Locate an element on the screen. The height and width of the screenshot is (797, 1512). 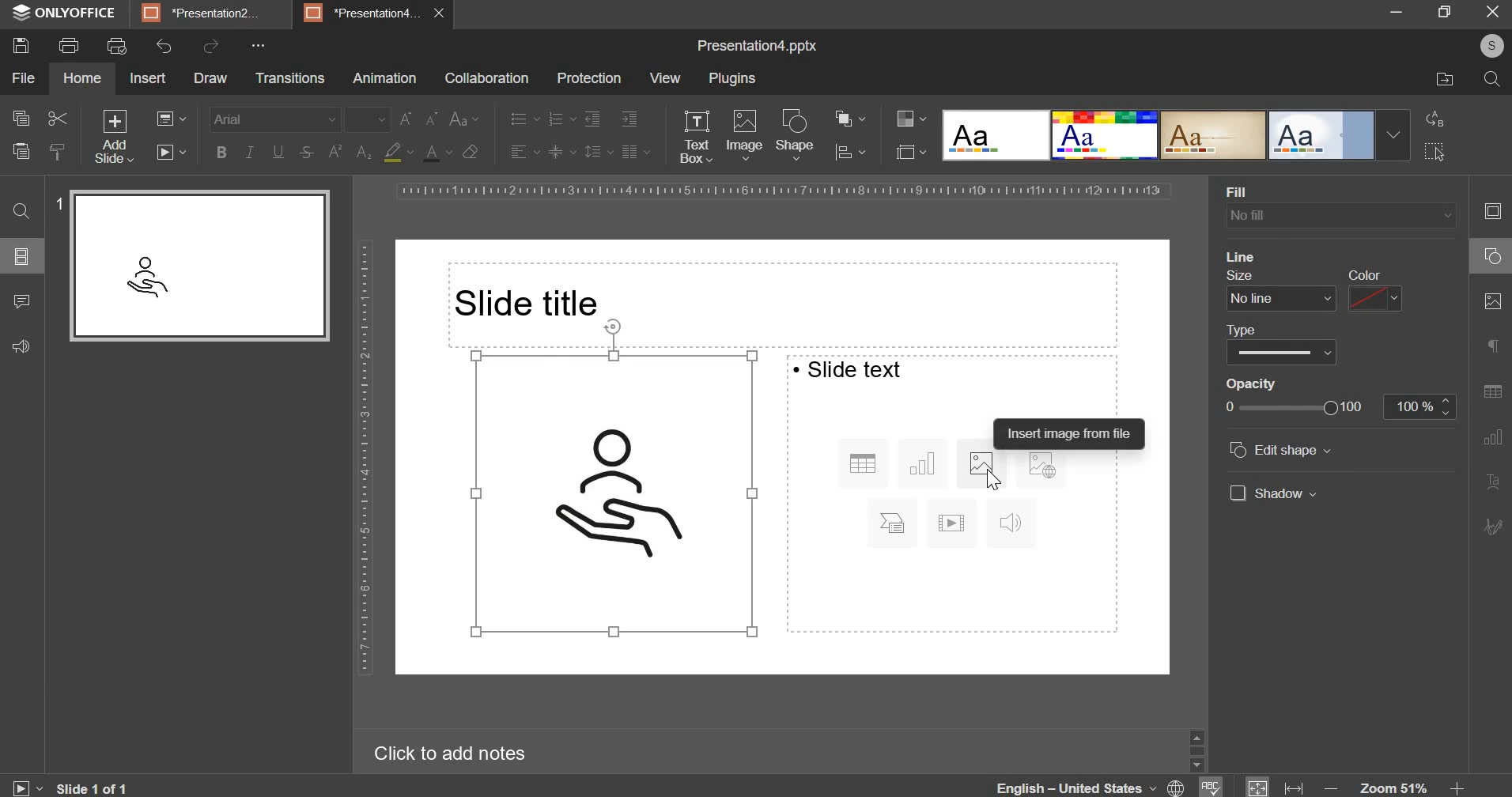
cut is located at coordinates (57, 119).